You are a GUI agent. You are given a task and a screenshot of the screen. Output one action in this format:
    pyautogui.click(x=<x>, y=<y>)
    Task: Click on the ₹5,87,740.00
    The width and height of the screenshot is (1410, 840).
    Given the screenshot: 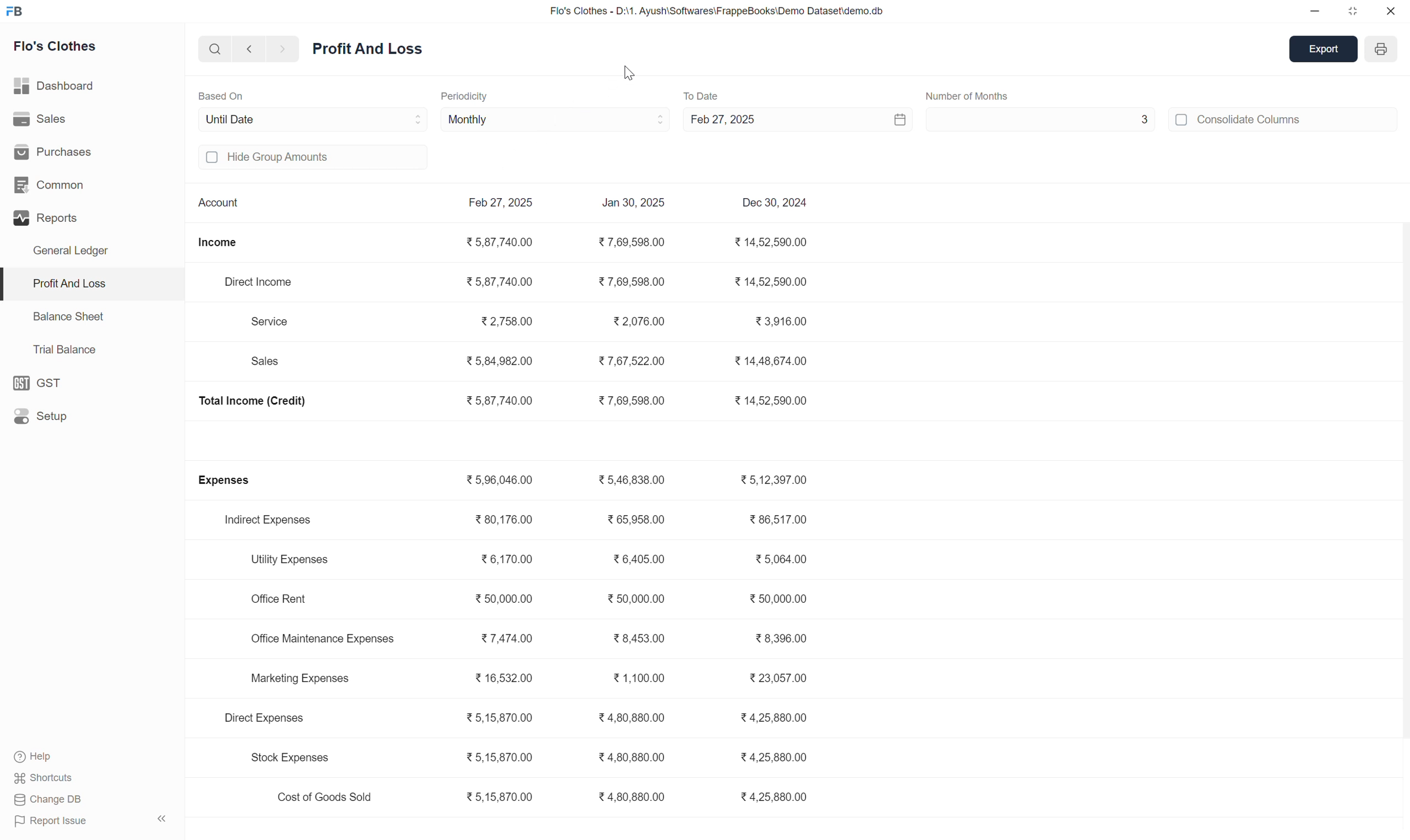 What is the action you would take?
    pyautogui.click(x=495, y=281)
    